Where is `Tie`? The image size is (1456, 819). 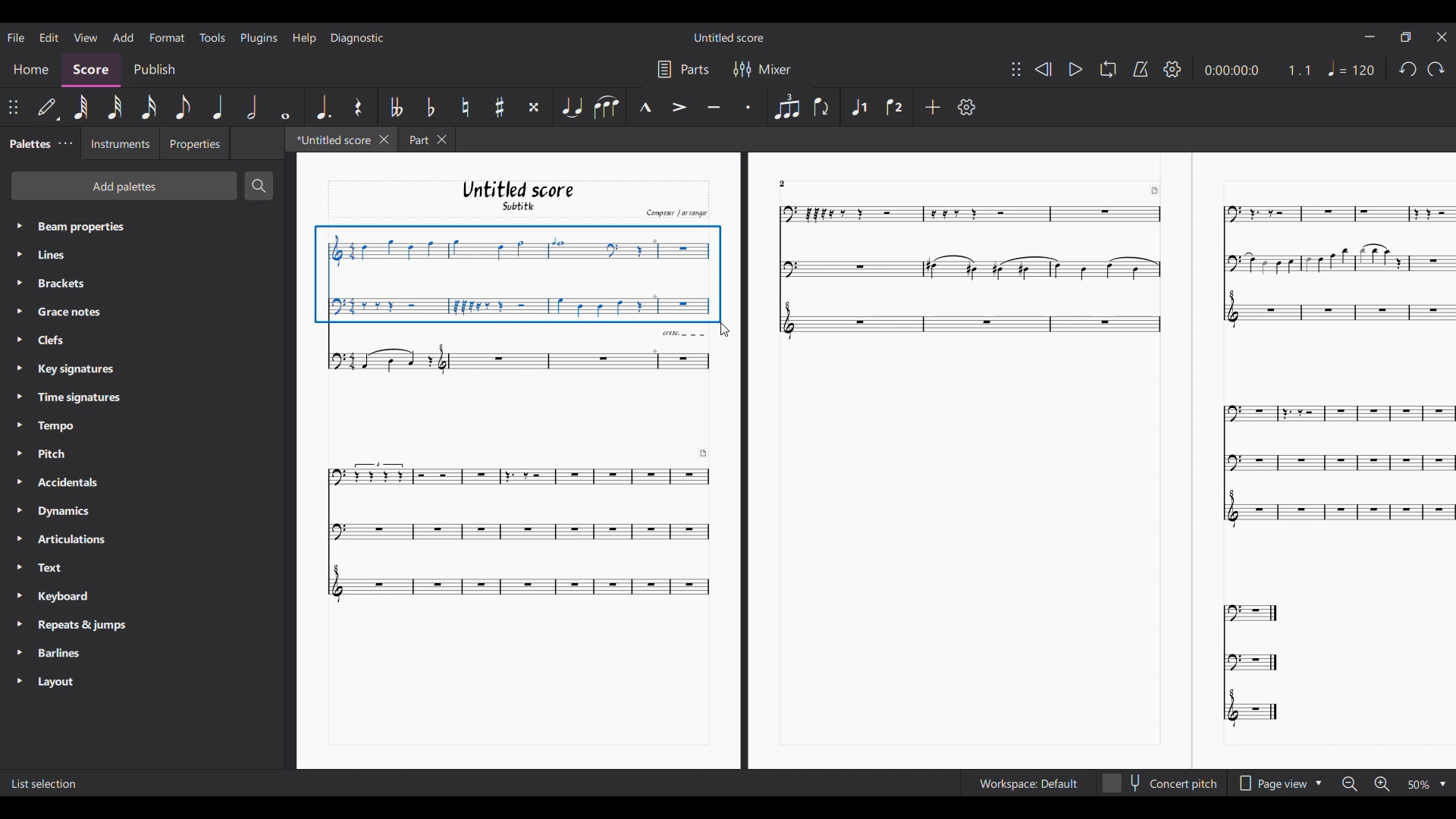 Tie is located at coordinates (571, 107).